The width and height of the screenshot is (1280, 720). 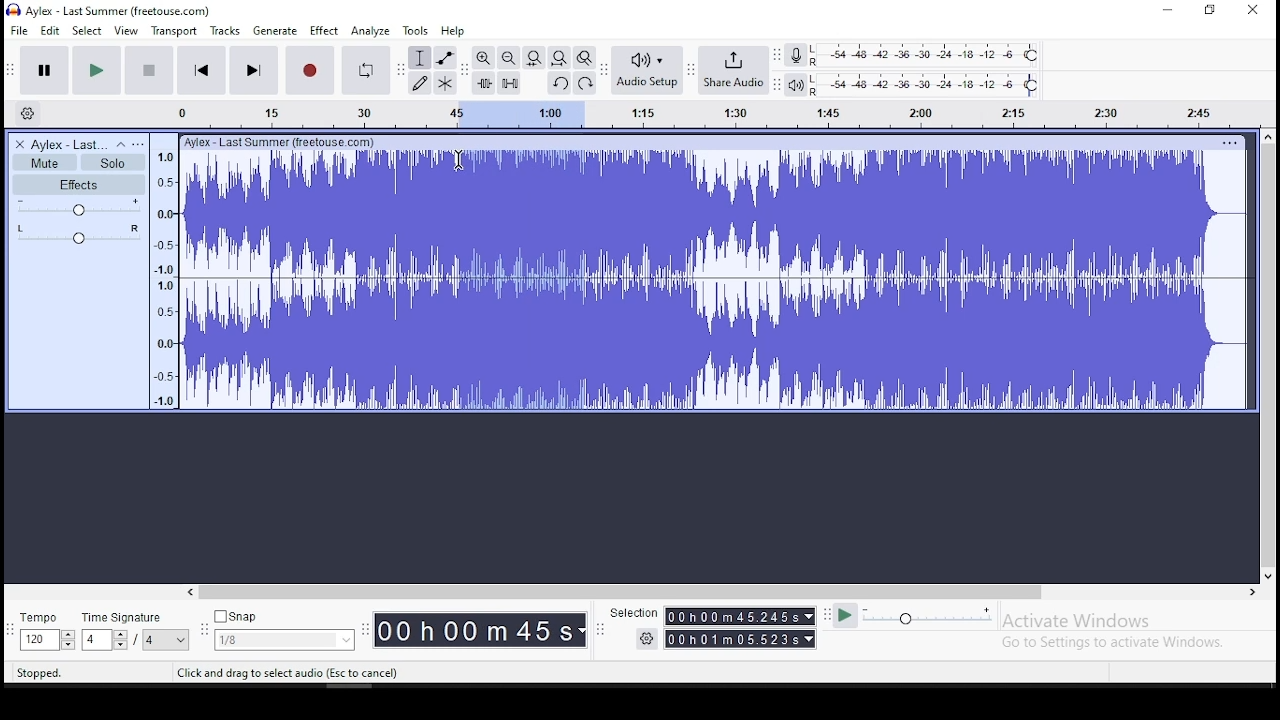 I want to click on record, so click(x=312, y=70).